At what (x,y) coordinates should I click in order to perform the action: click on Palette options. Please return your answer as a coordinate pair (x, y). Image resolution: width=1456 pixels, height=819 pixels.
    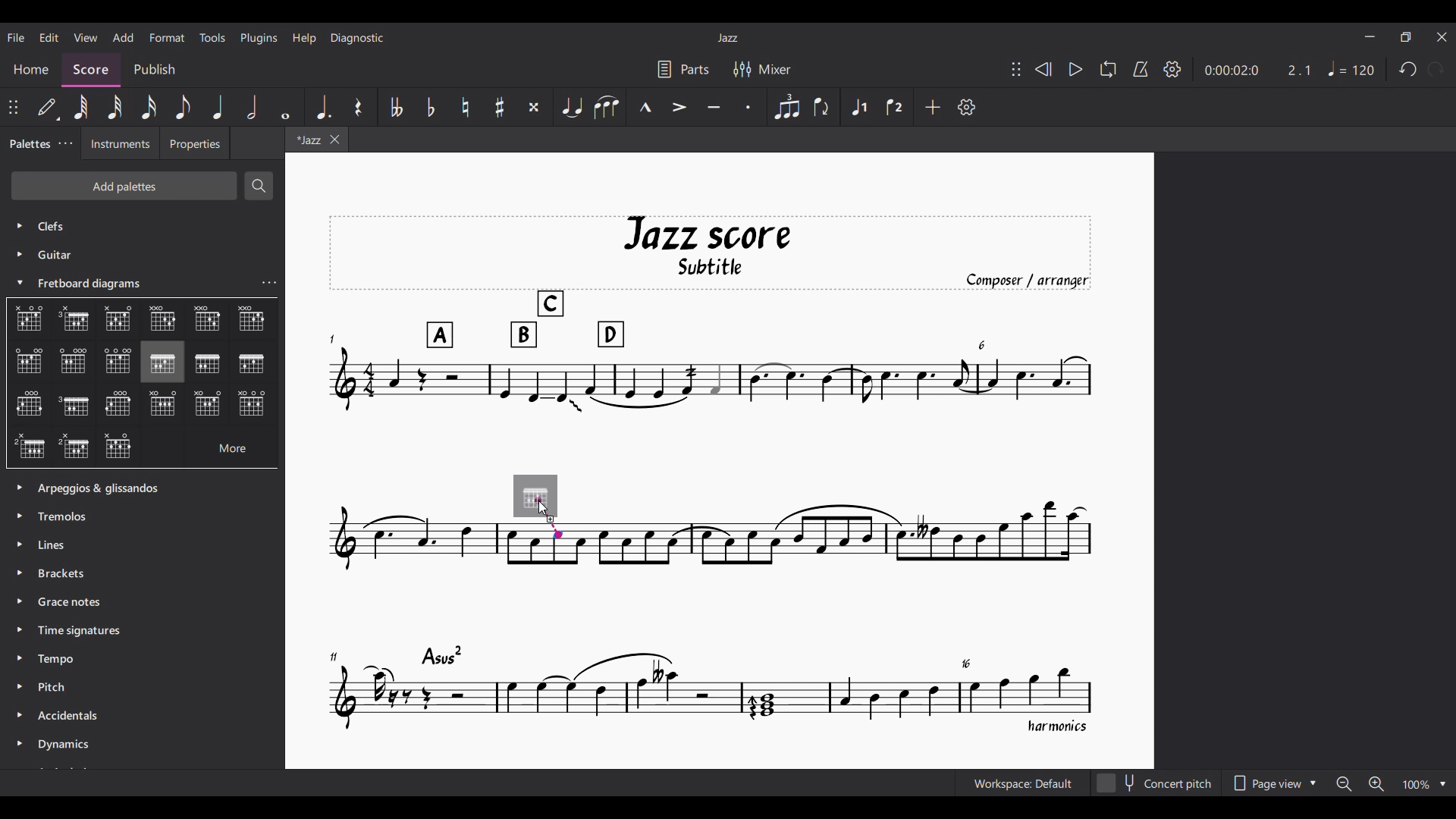
    Looking at the image, I should click on (116, 485).